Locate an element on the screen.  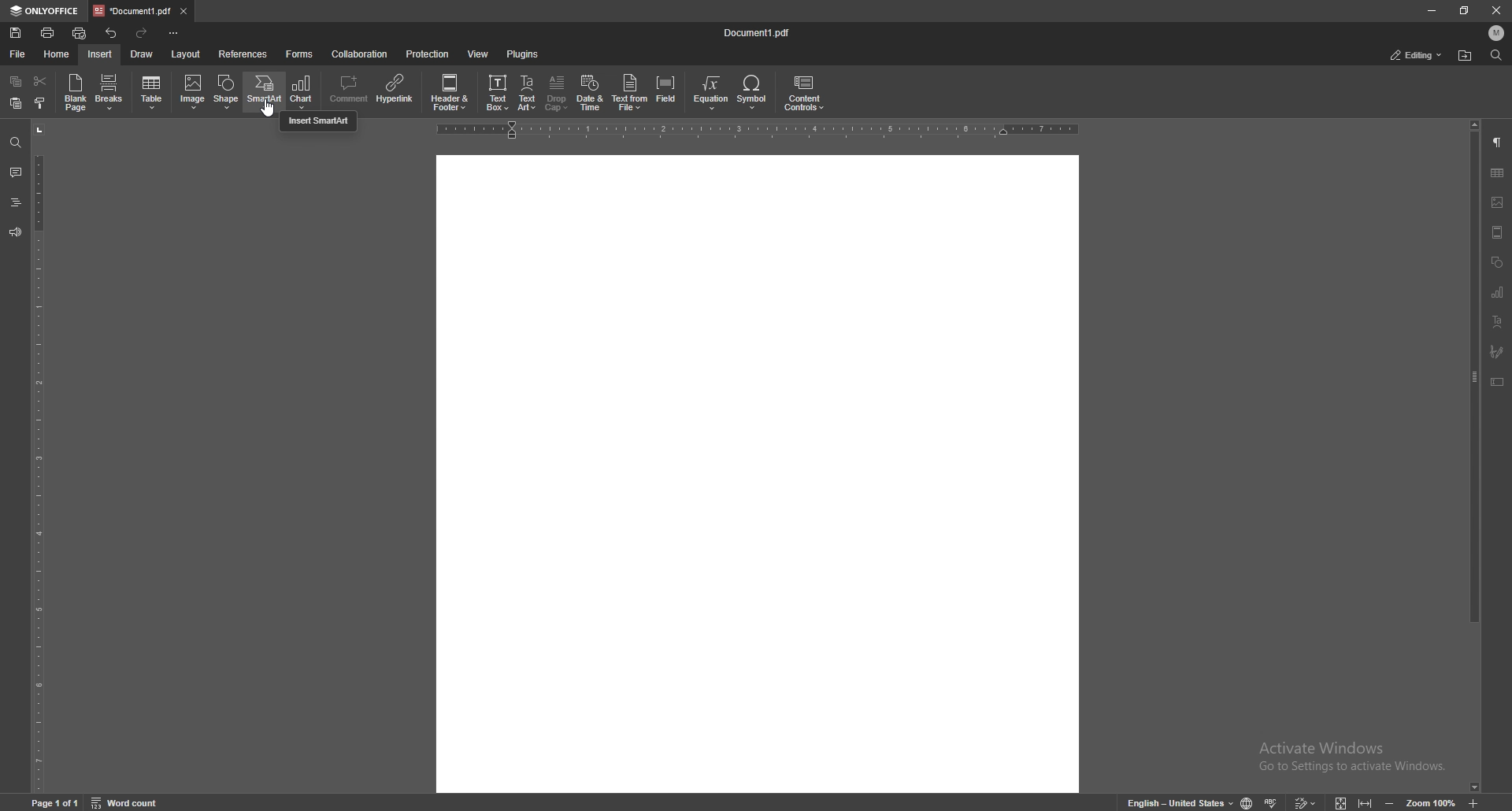
comment is located at coordinates (17, 172).